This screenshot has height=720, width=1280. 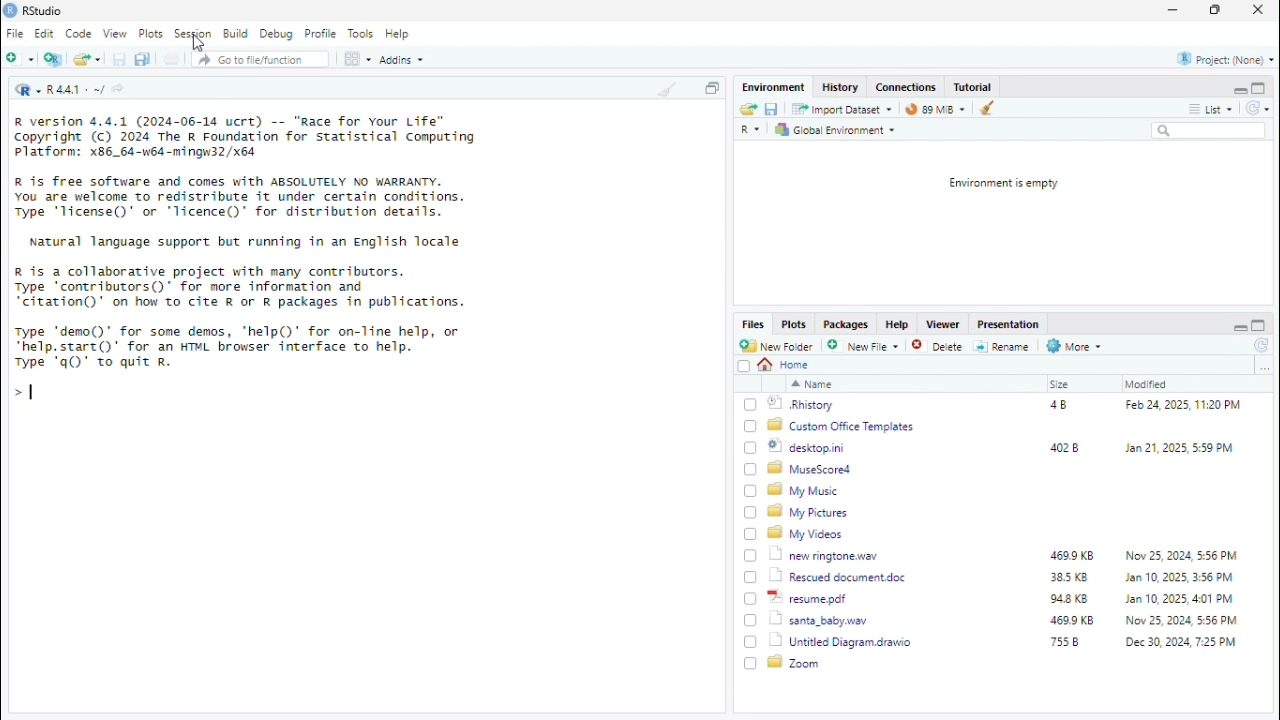 I want to click on share, so click(x=118, y=88).